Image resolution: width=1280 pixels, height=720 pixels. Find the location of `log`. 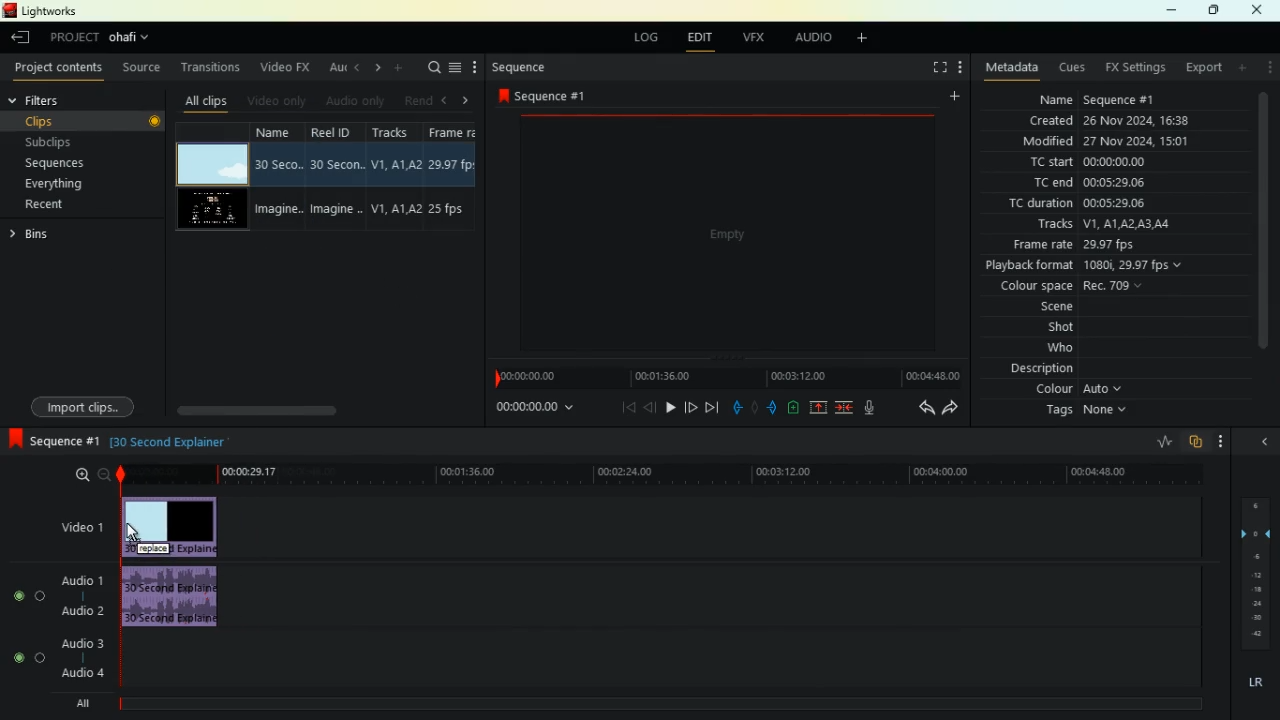

log is located at coordinates (641, 38).